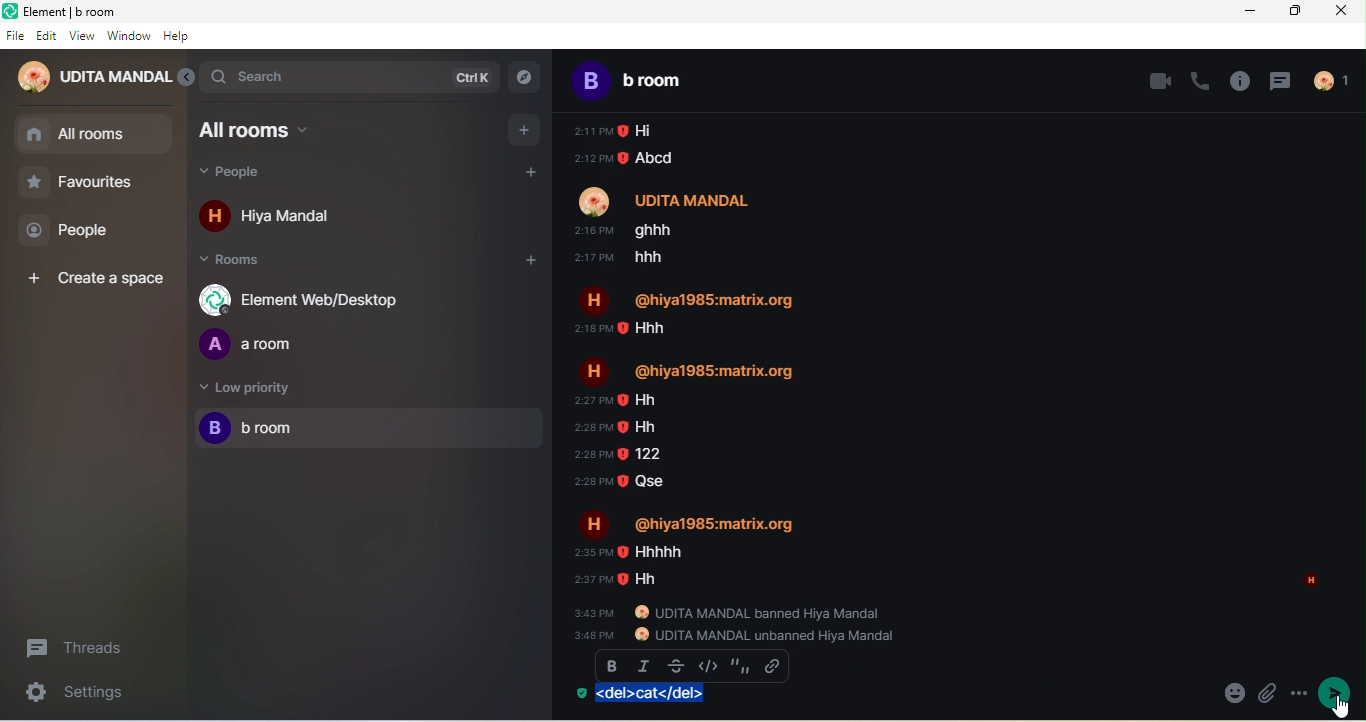  Describe the element at coordinates (47, 35) in the screenshot. I see `edit` at that location.